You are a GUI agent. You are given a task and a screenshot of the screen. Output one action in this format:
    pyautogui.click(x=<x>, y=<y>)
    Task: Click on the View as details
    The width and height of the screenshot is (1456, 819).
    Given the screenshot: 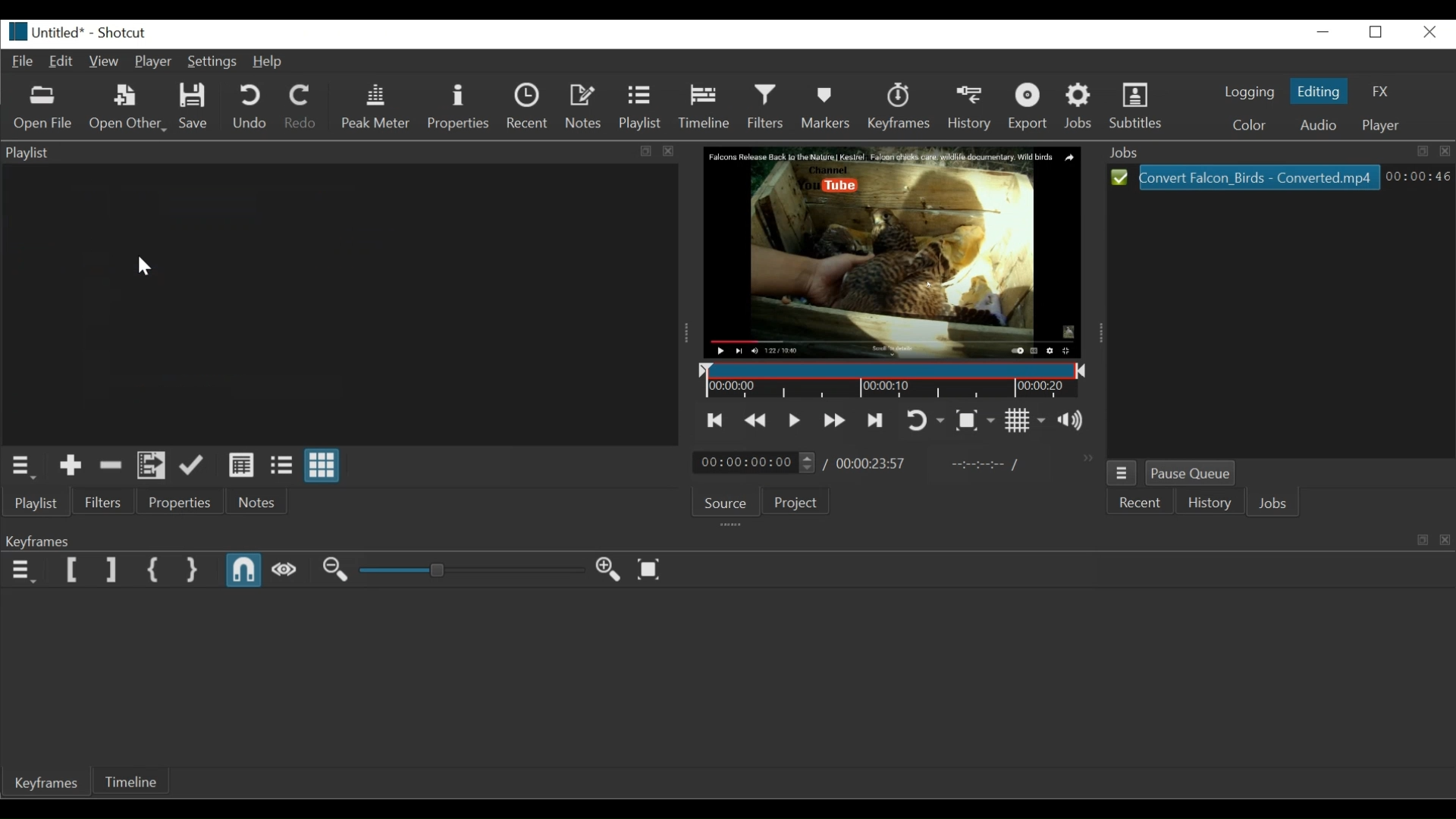 What is the action you would take?
    pyautogui.click(x=242, y=467)
    